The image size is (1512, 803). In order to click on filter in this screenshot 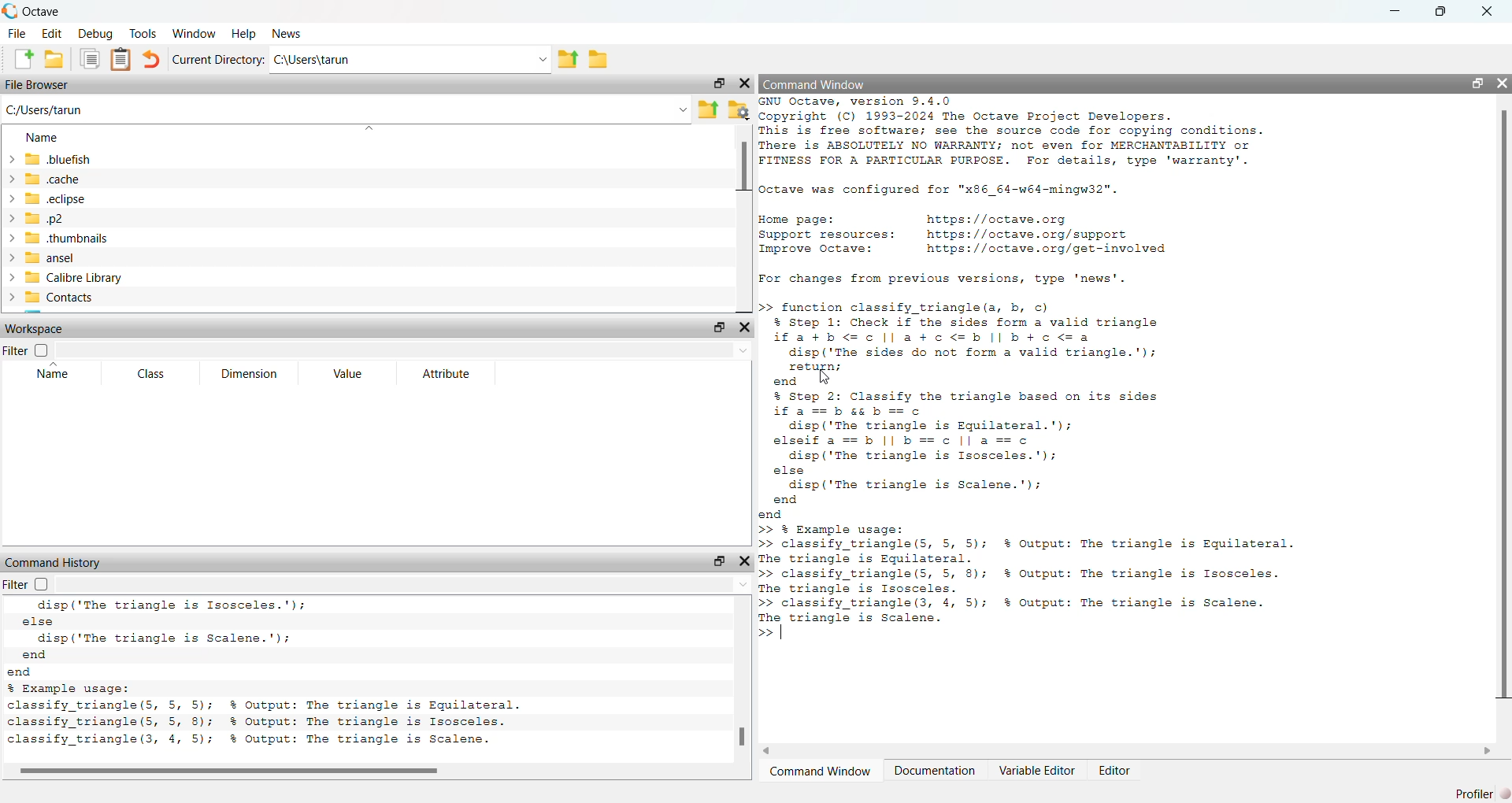, I will do `click(33, 585)`.